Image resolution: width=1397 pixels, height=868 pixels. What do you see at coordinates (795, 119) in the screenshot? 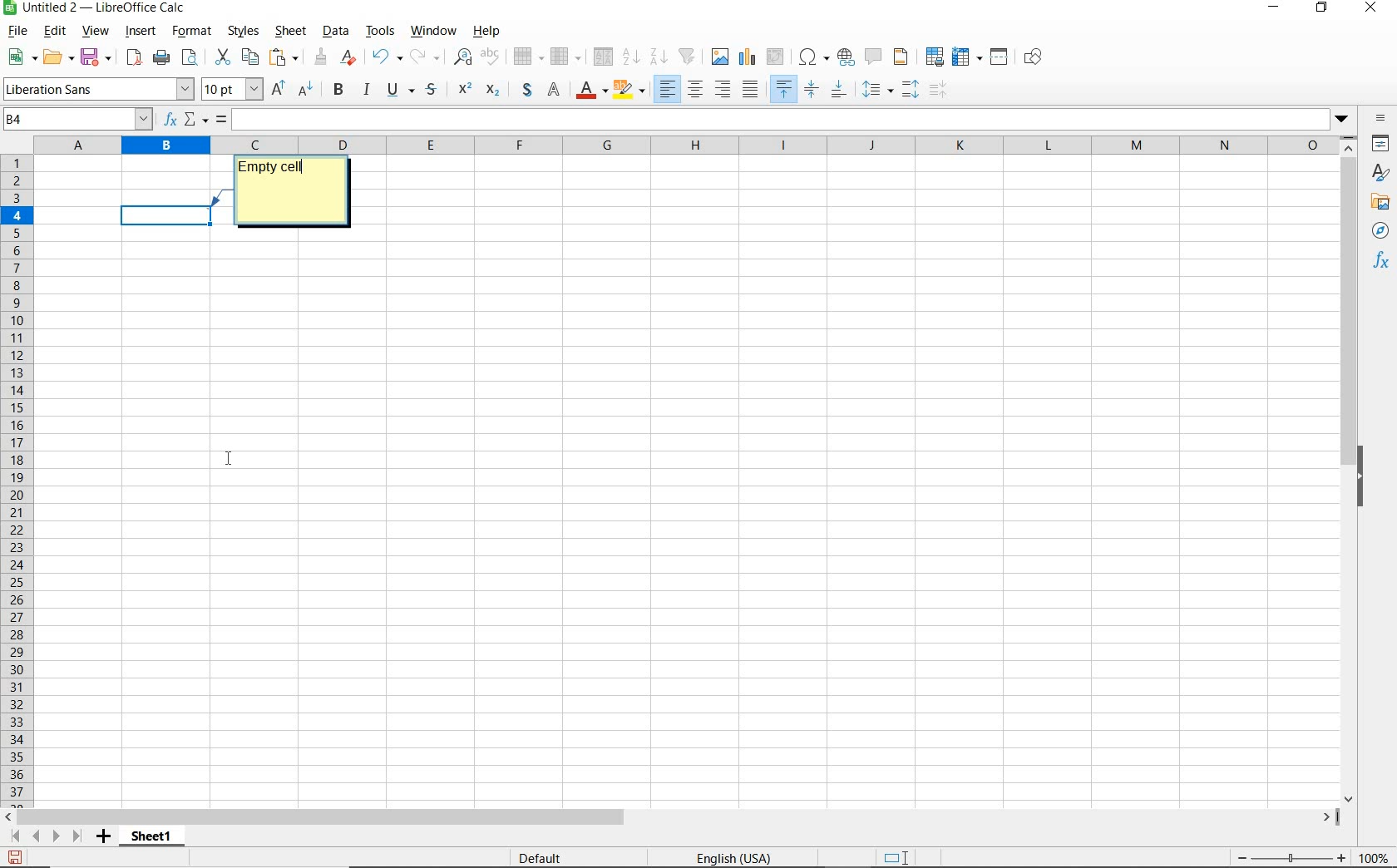
I see `expand formula bar` at bounding box center [795, 119].